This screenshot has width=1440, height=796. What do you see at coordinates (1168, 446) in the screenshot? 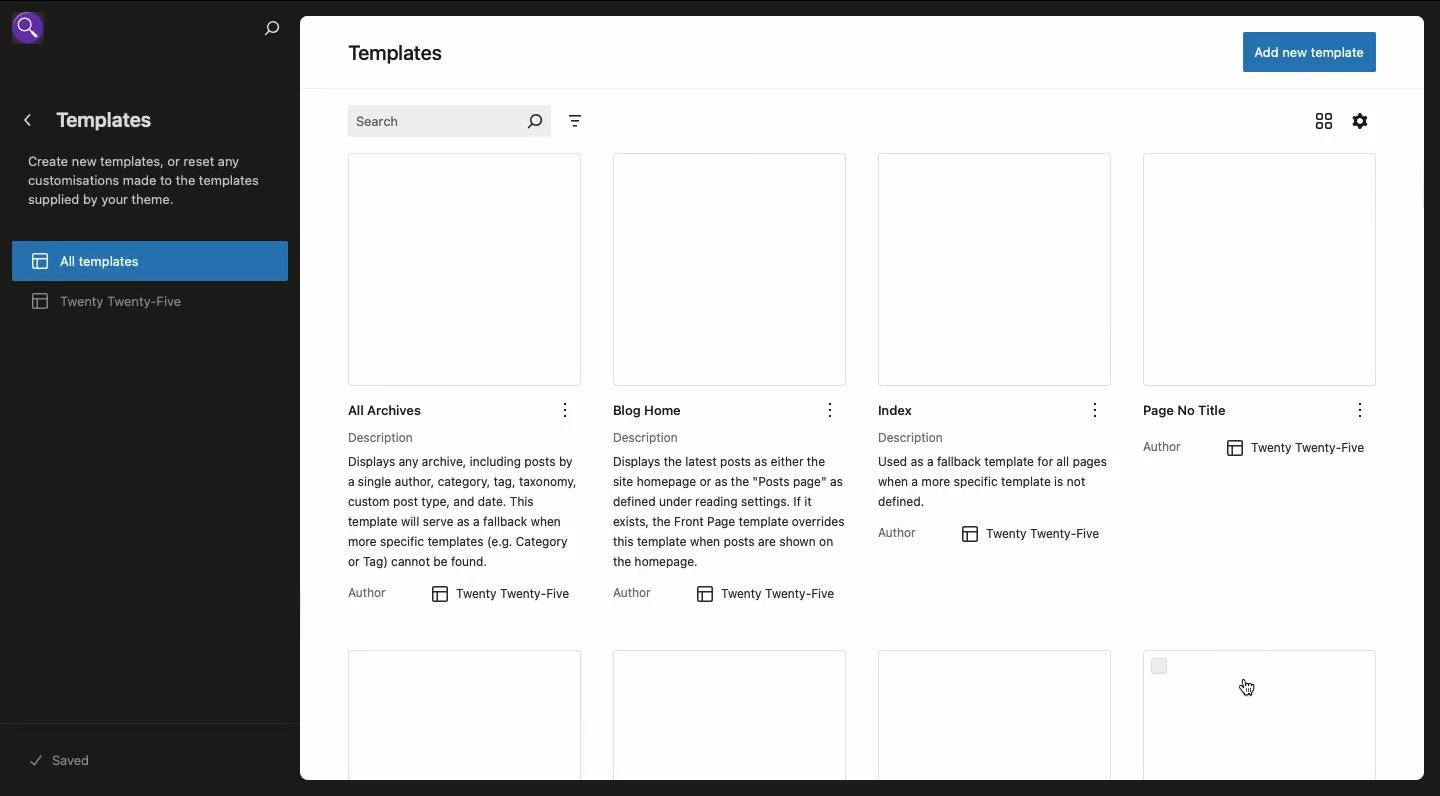
I see `Author ` at bounding box center [1168, 446].